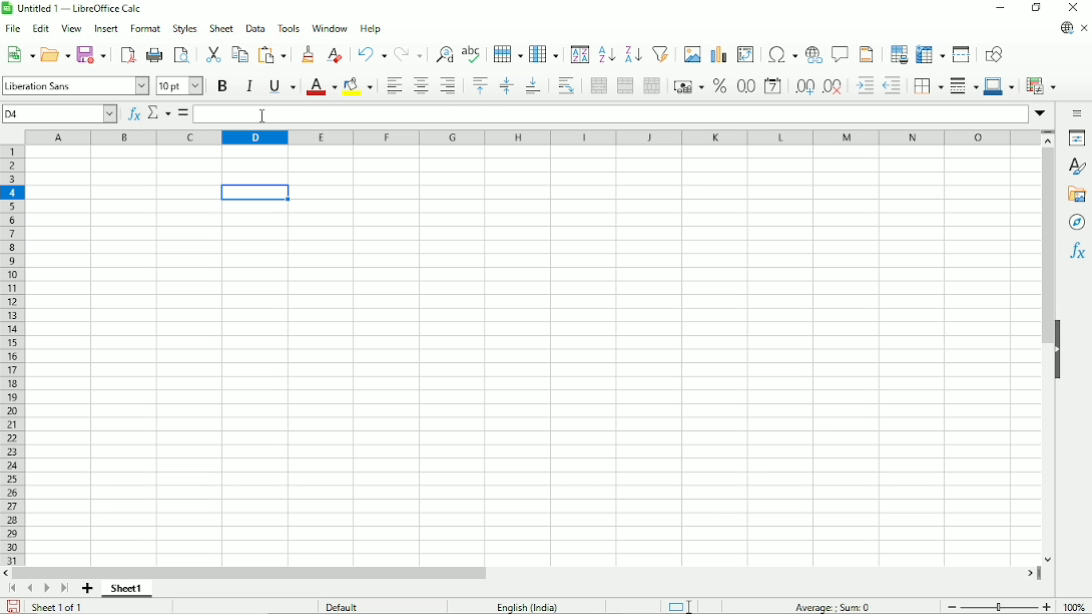 The width and height of the screenshot is (1092, 614). Describe the element at coordinates (75, 86) in the screenshot. I see `Font style` at that location.